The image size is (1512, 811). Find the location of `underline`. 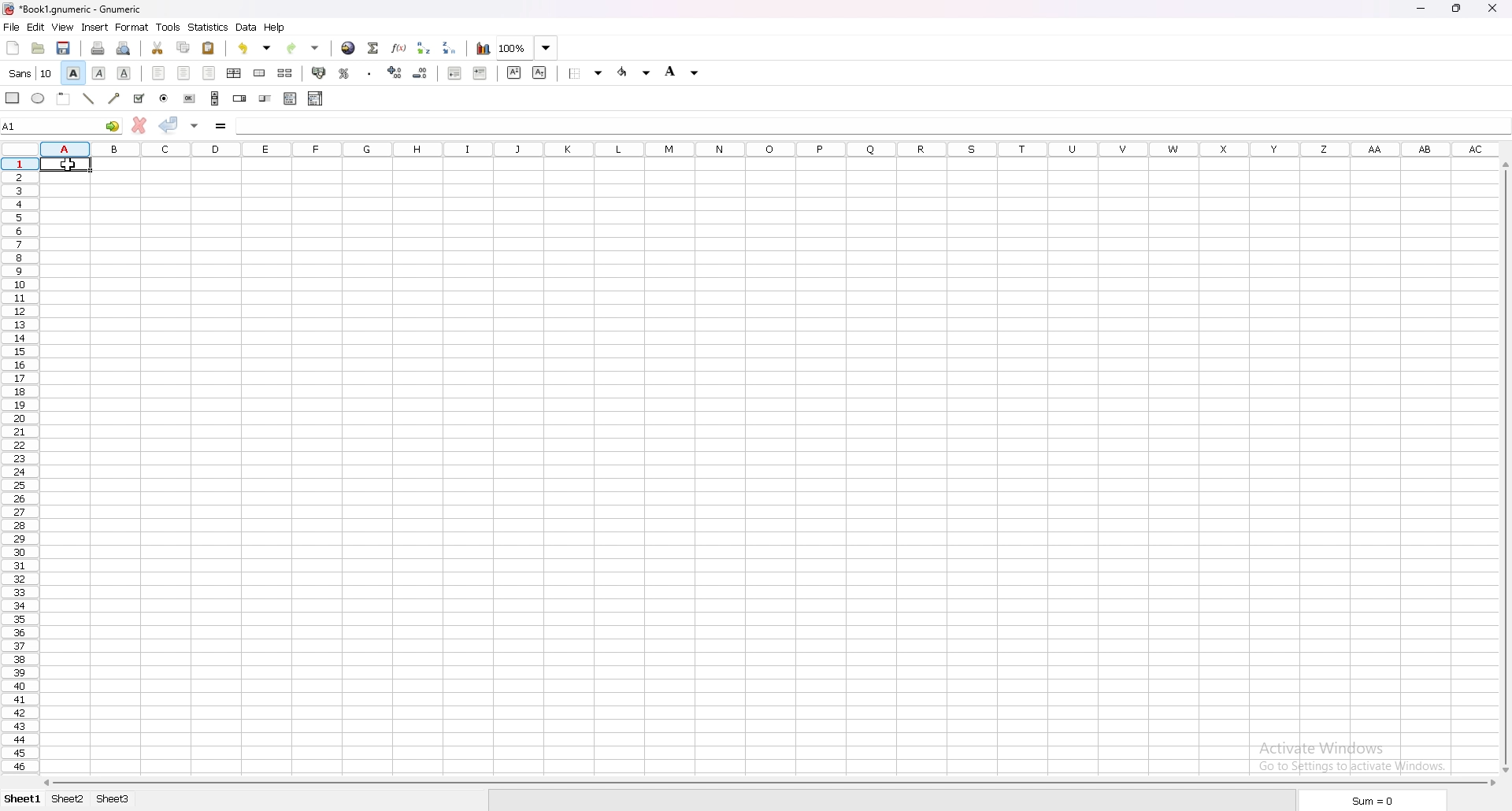

underline is located at coordinates (125, 74).